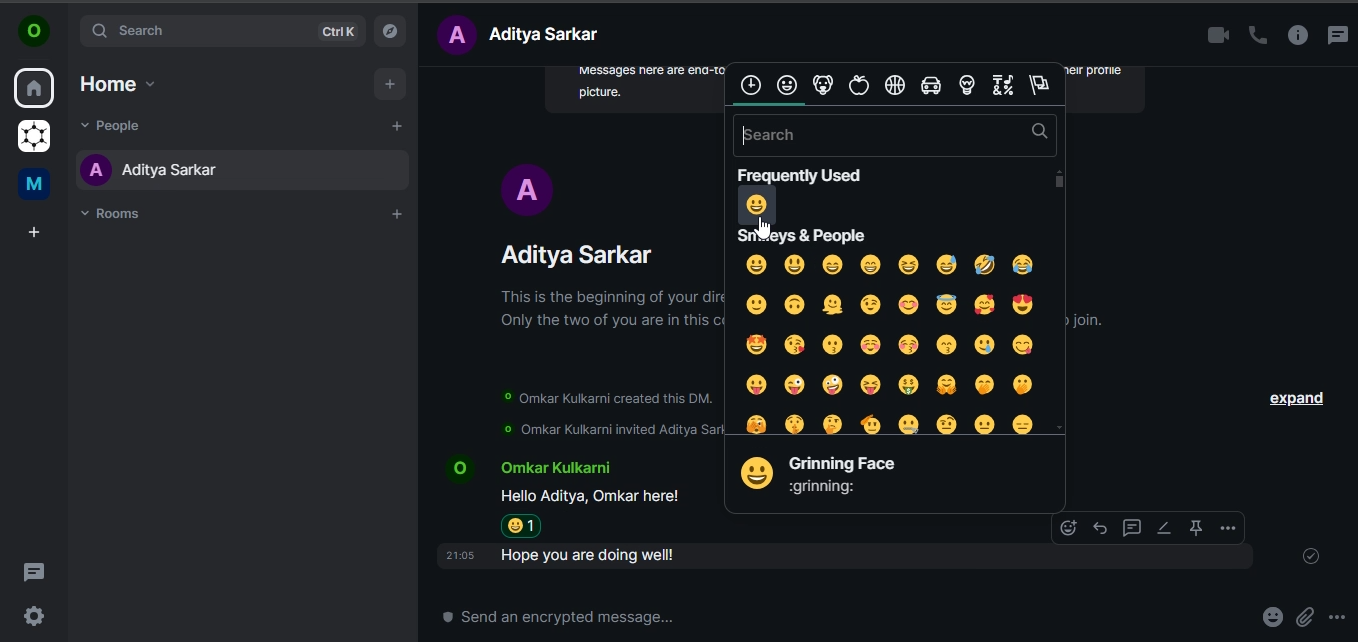 The width and height of the screenshot is (1358, 642). What do you see at coordinates (1099, 526) in the screenshot?
I see `reply` at bounding box center [1099, 526].